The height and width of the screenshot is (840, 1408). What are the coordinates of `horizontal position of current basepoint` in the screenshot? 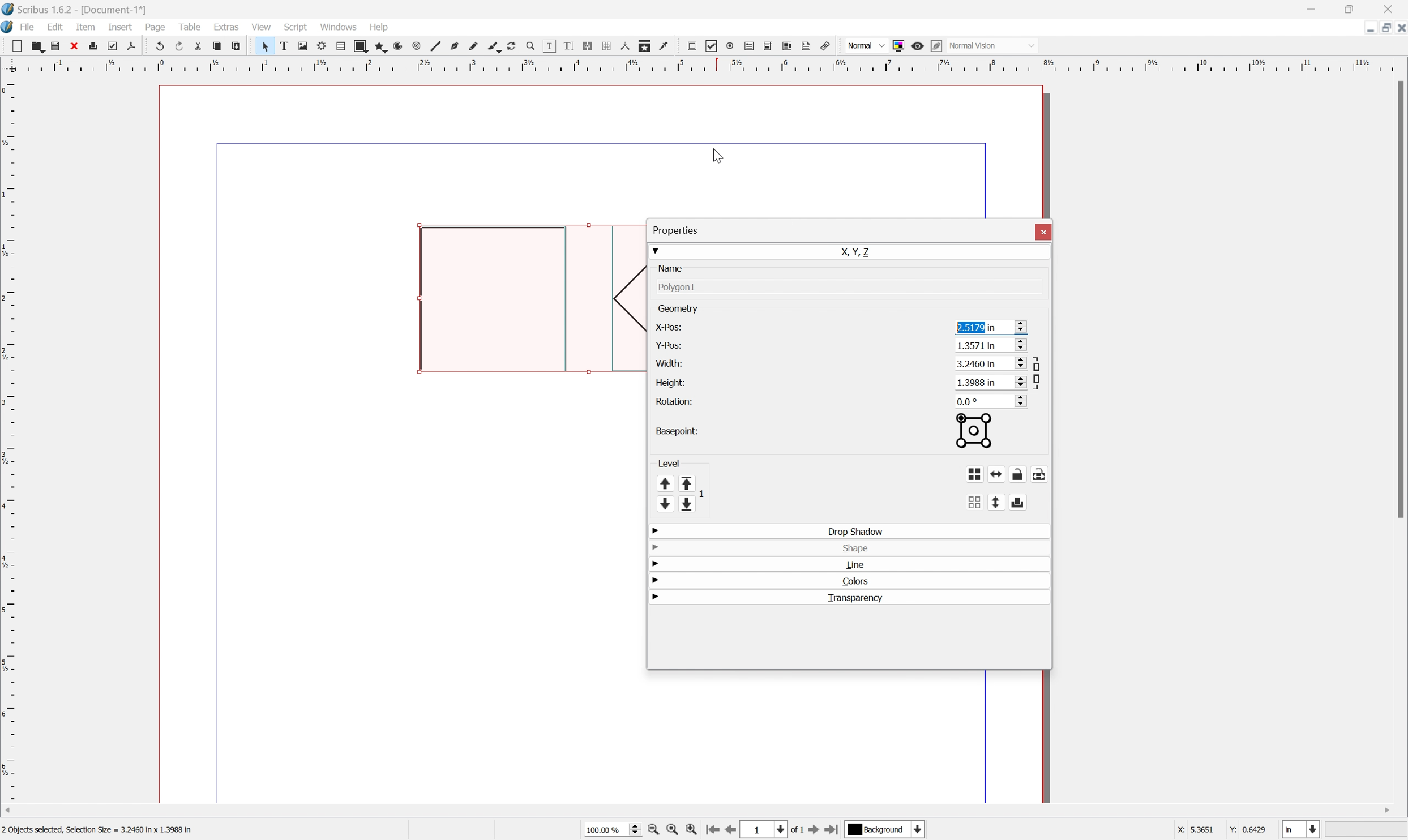 It's located at (1108, 352).